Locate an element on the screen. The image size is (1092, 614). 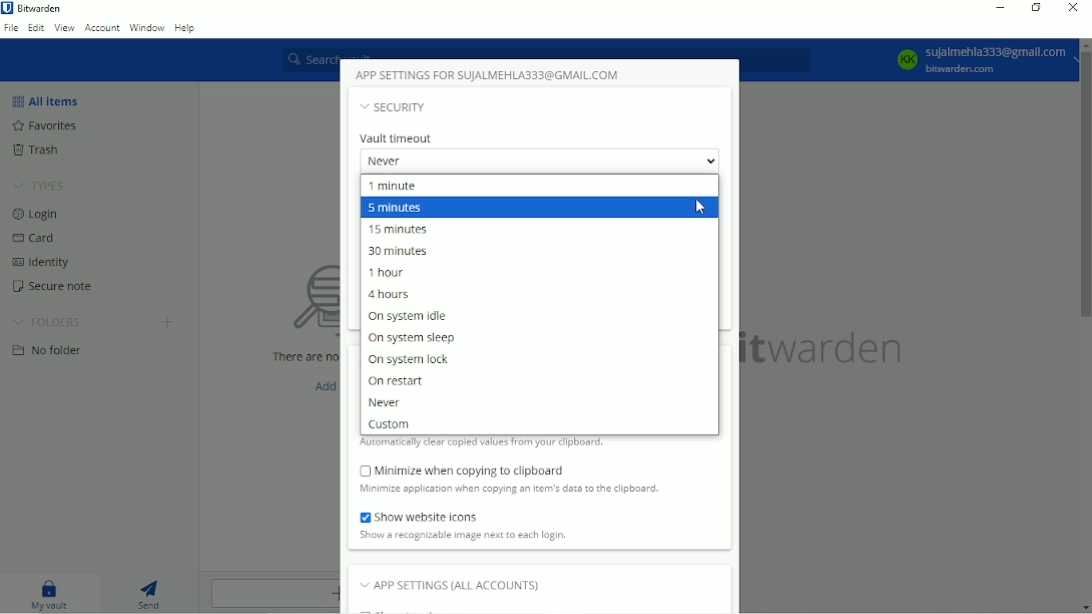
No folder is located at coordinates (47, 352).